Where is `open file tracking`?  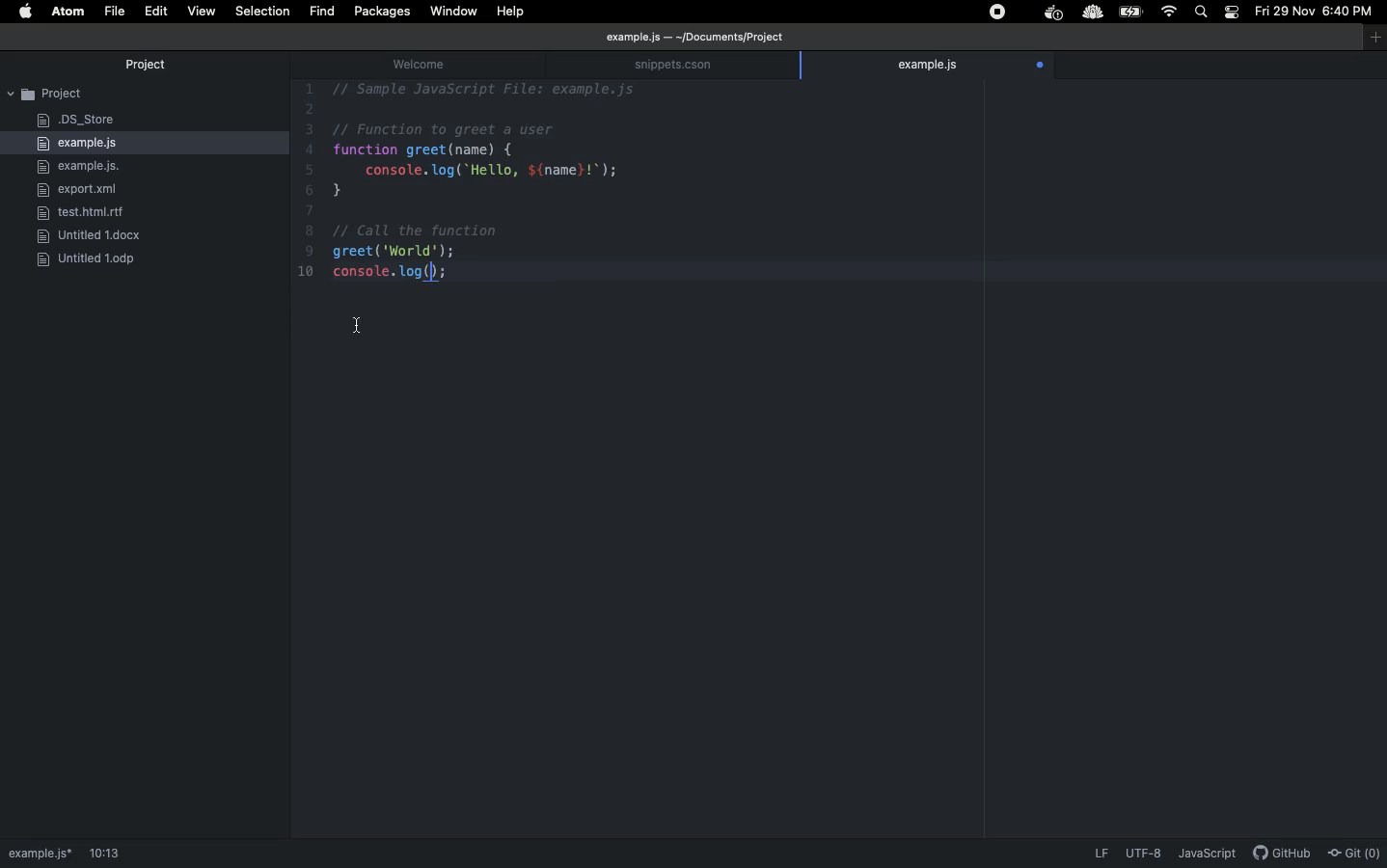
open file tracking is located at coordinates (1041, 66).